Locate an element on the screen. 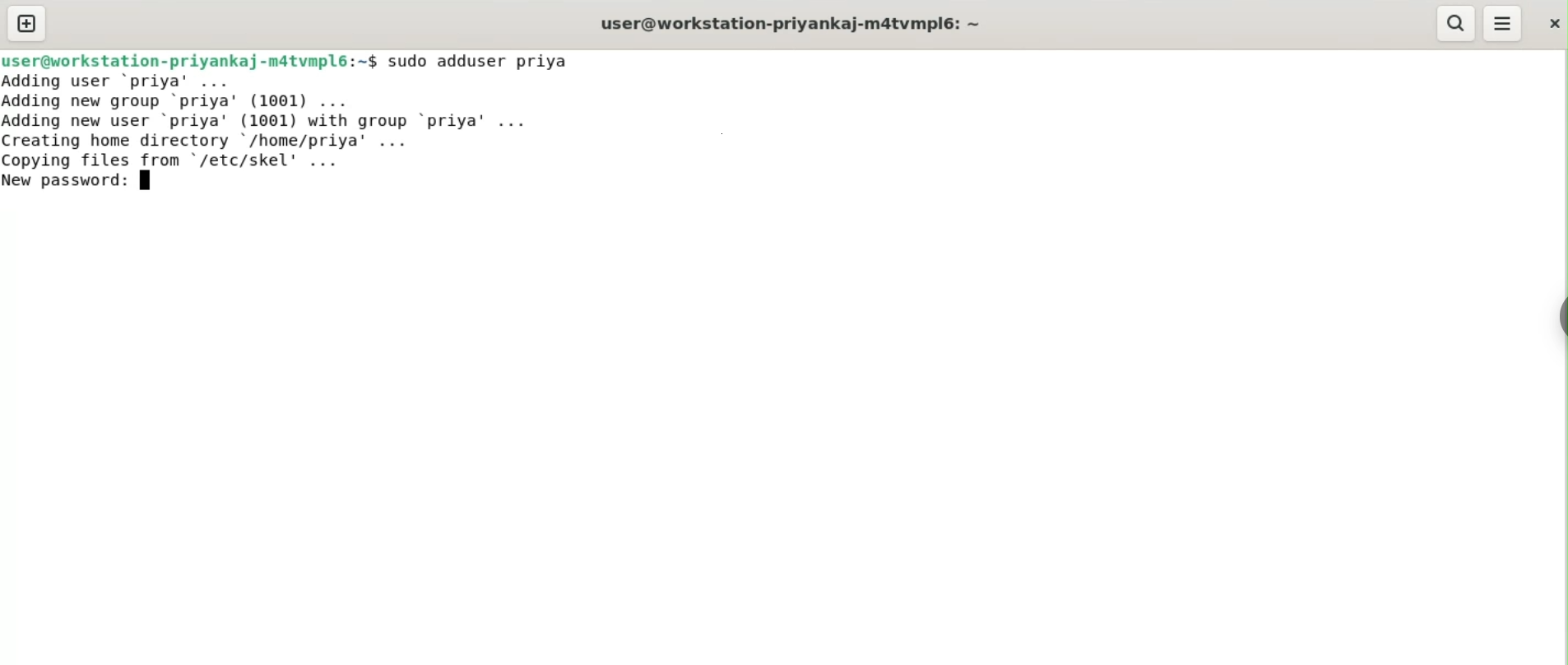 The height and width of the screenshot is (665, 1568). sidebar is located at coordinates (1560, 318).